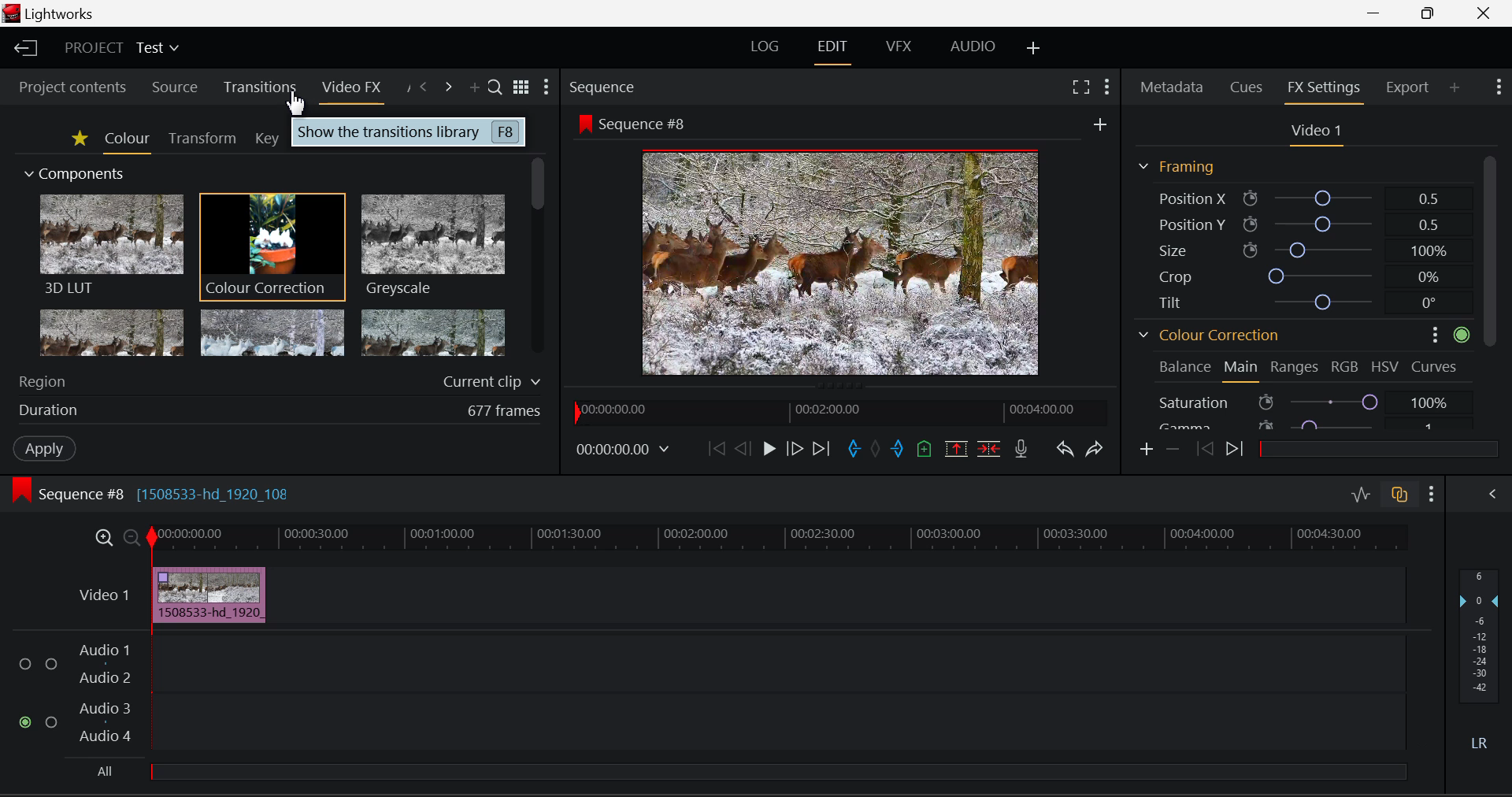 Image resolution: width=1512 pixels, height=797 pixels. Describe the element at coordinates (623, 451) in the screenshot. I see `Frame Time` at that location.